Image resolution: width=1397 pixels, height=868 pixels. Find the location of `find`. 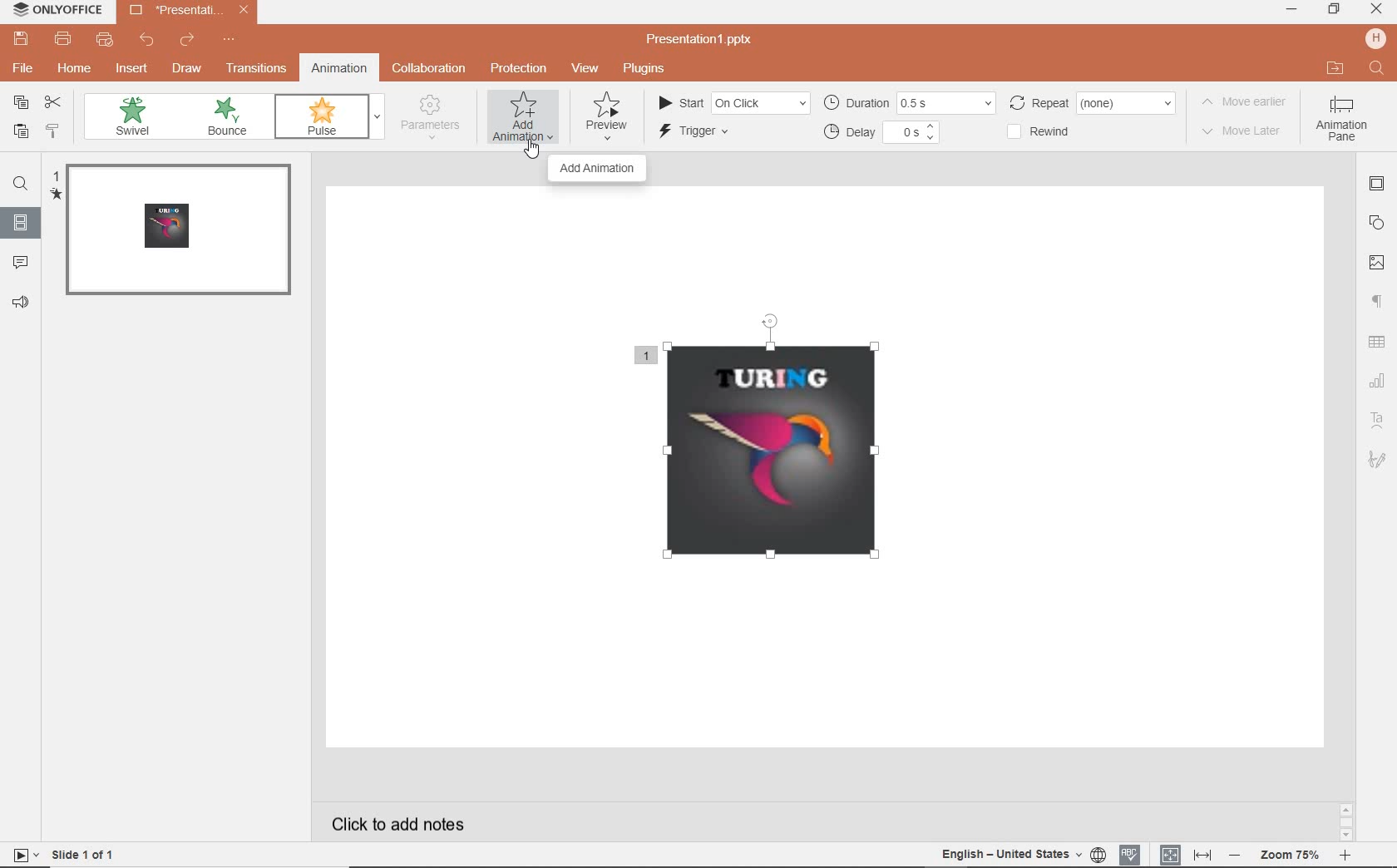

find is located at coordinates (22, 184).